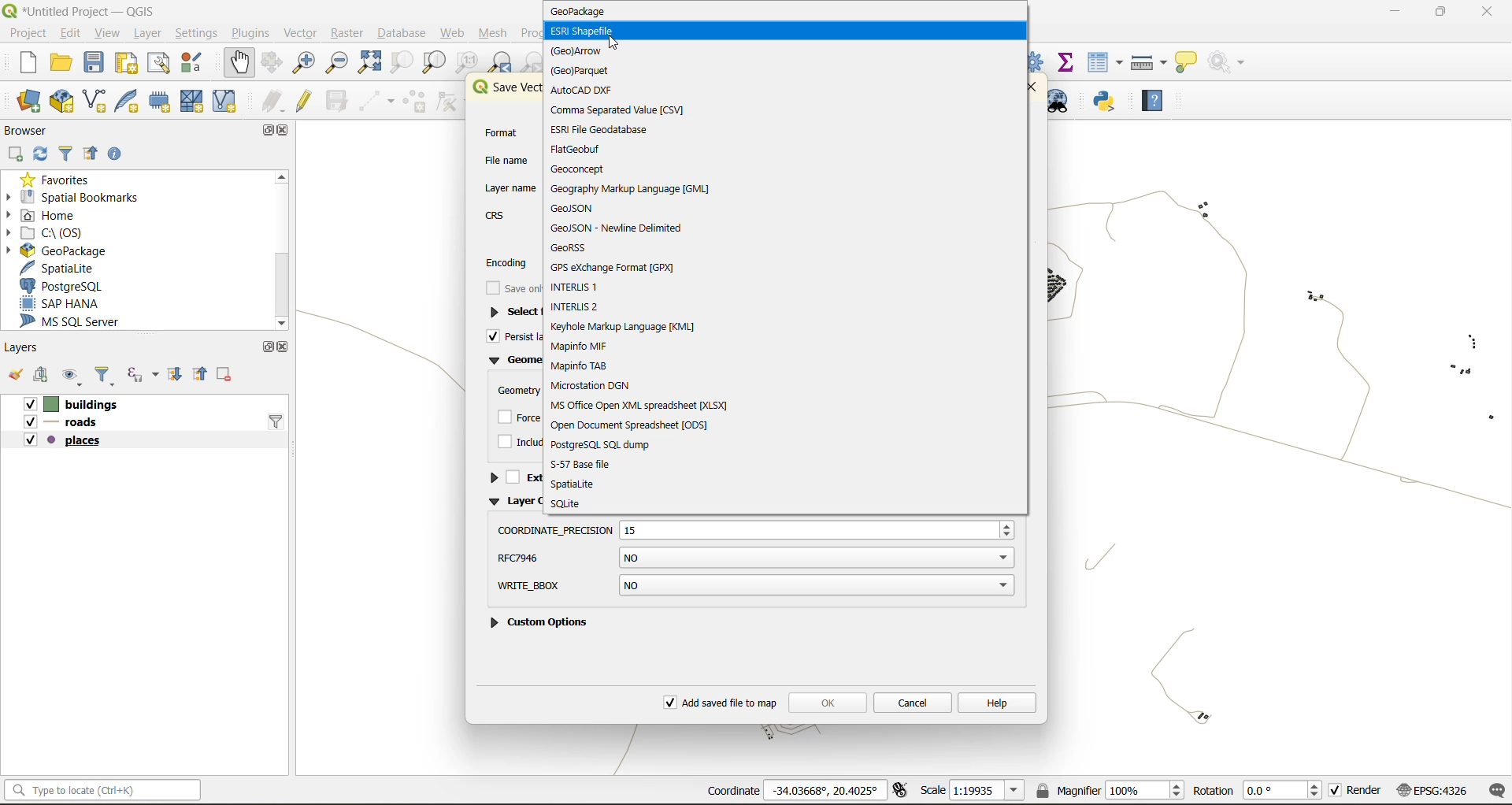  I want to click on show layout, so click(157, 63).